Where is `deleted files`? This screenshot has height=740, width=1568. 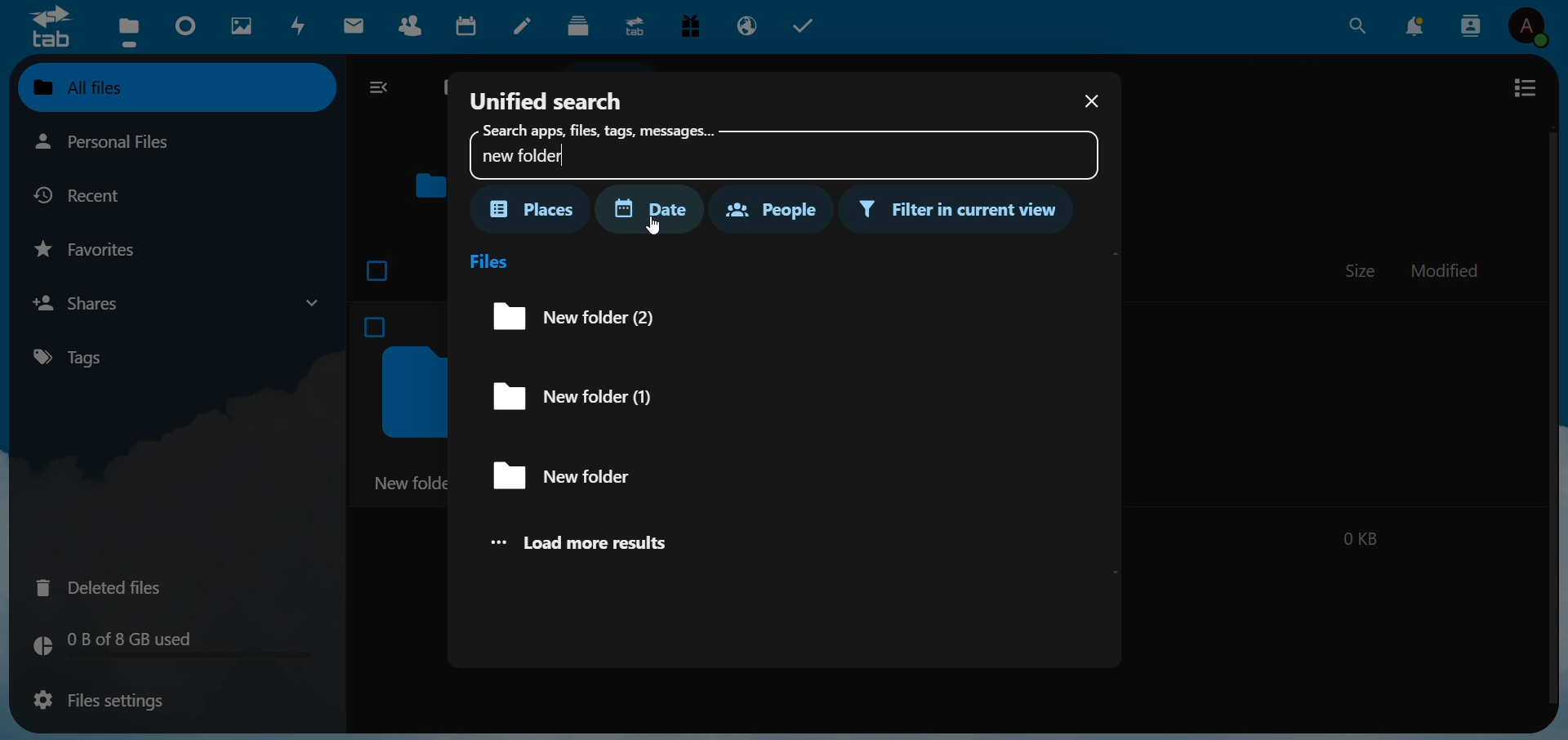 deleted files is located at coordinates (109, 586).